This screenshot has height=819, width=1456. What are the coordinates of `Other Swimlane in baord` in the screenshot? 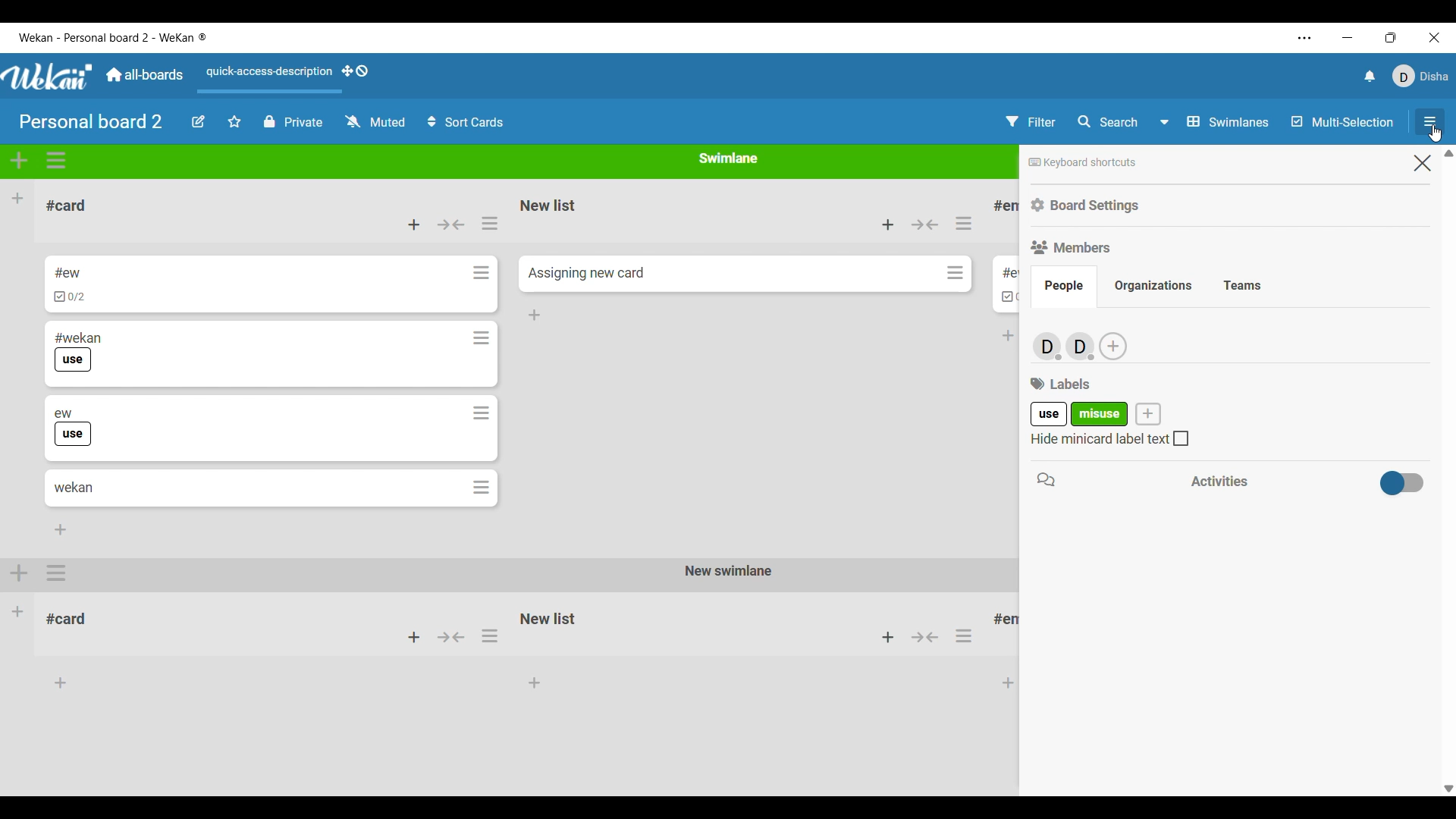 It's located at (511, 627).